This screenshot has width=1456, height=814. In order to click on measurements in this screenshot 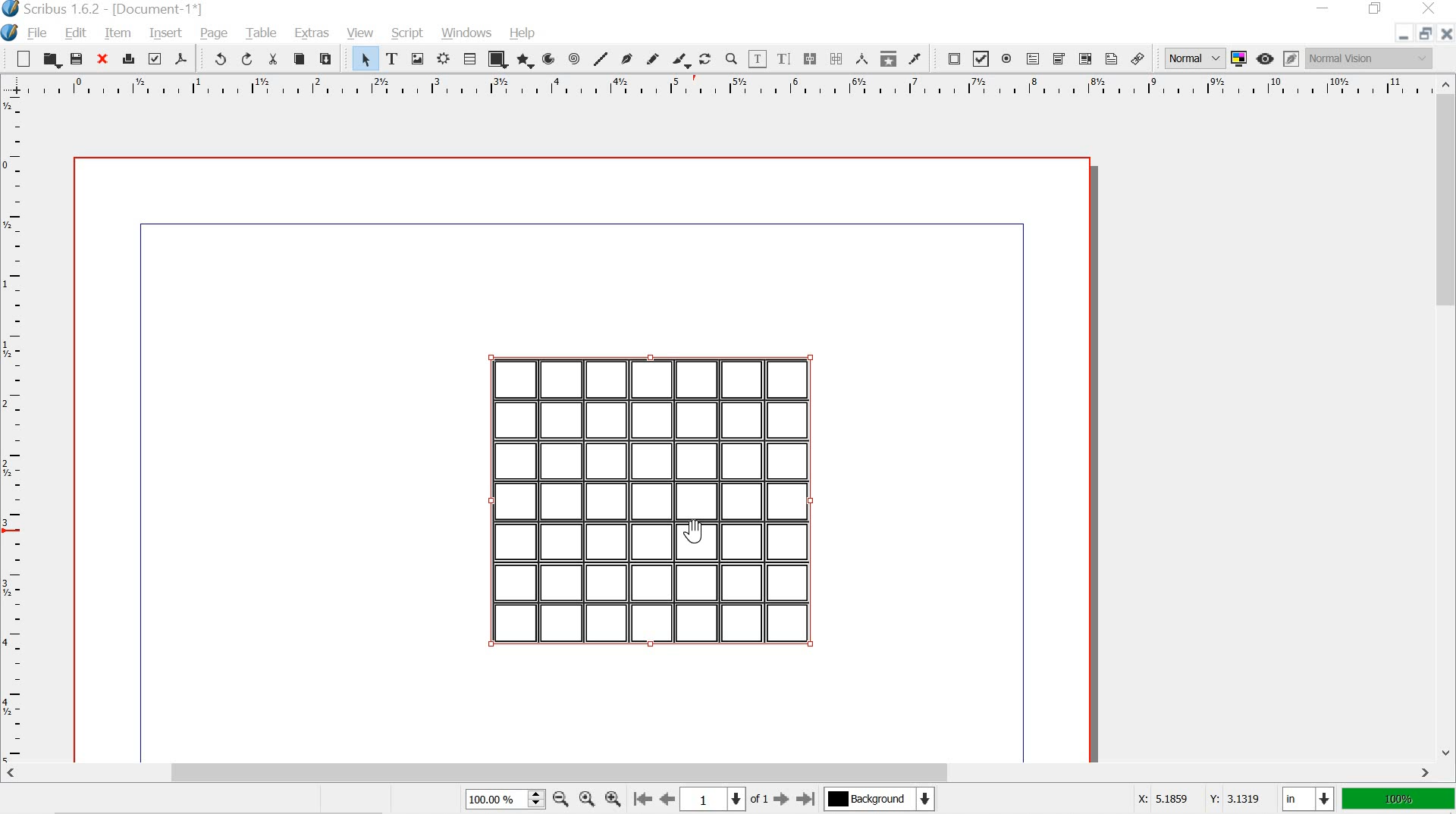, I will do `click(863, 58)`.